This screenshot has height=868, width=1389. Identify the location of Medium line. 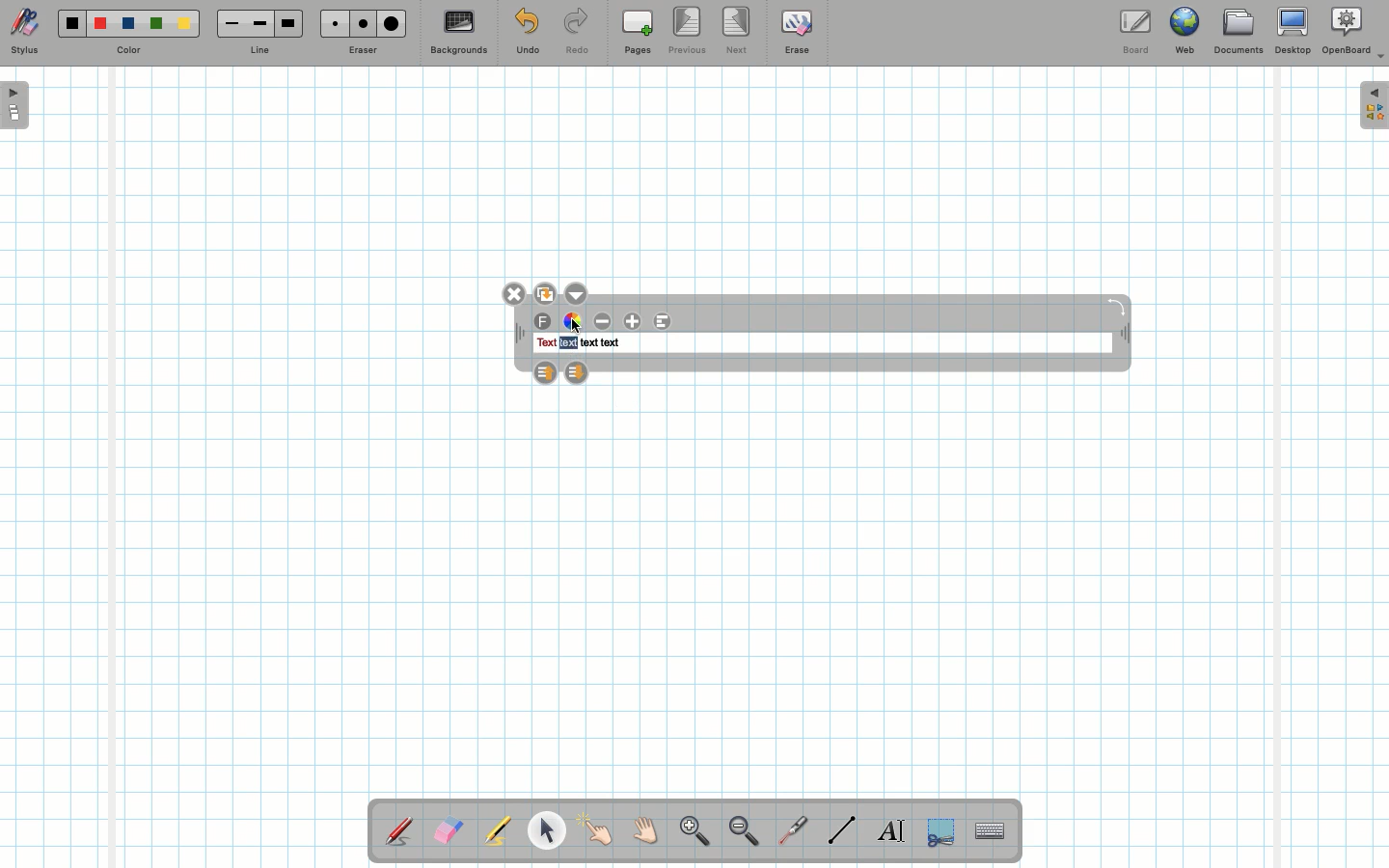
(259, 23).